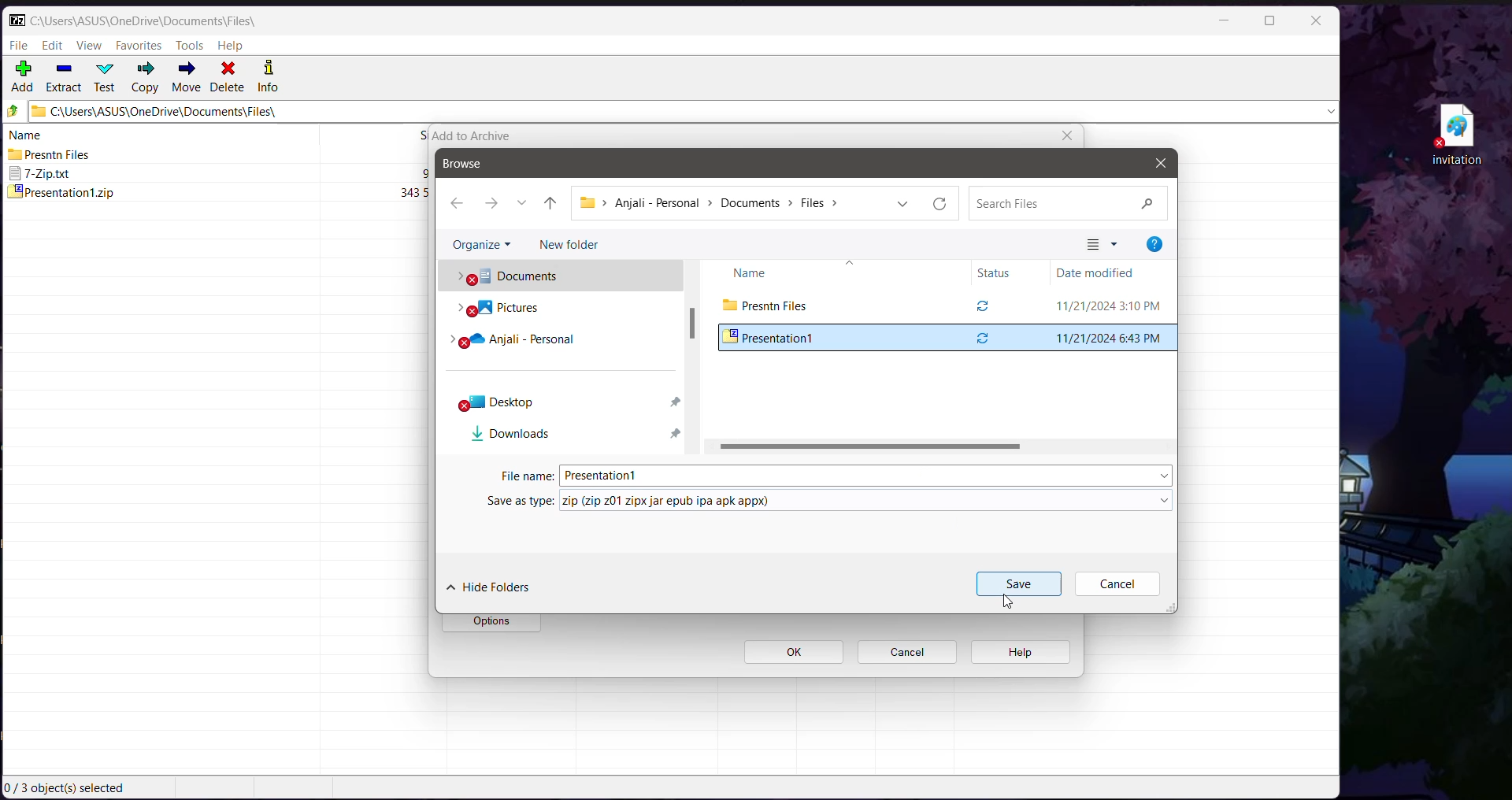 Image resolution: width=1512 pixels, height=800 pixels. Describe the element at coordinates (267, 78) in the screenshot. I see `Info` at that location.